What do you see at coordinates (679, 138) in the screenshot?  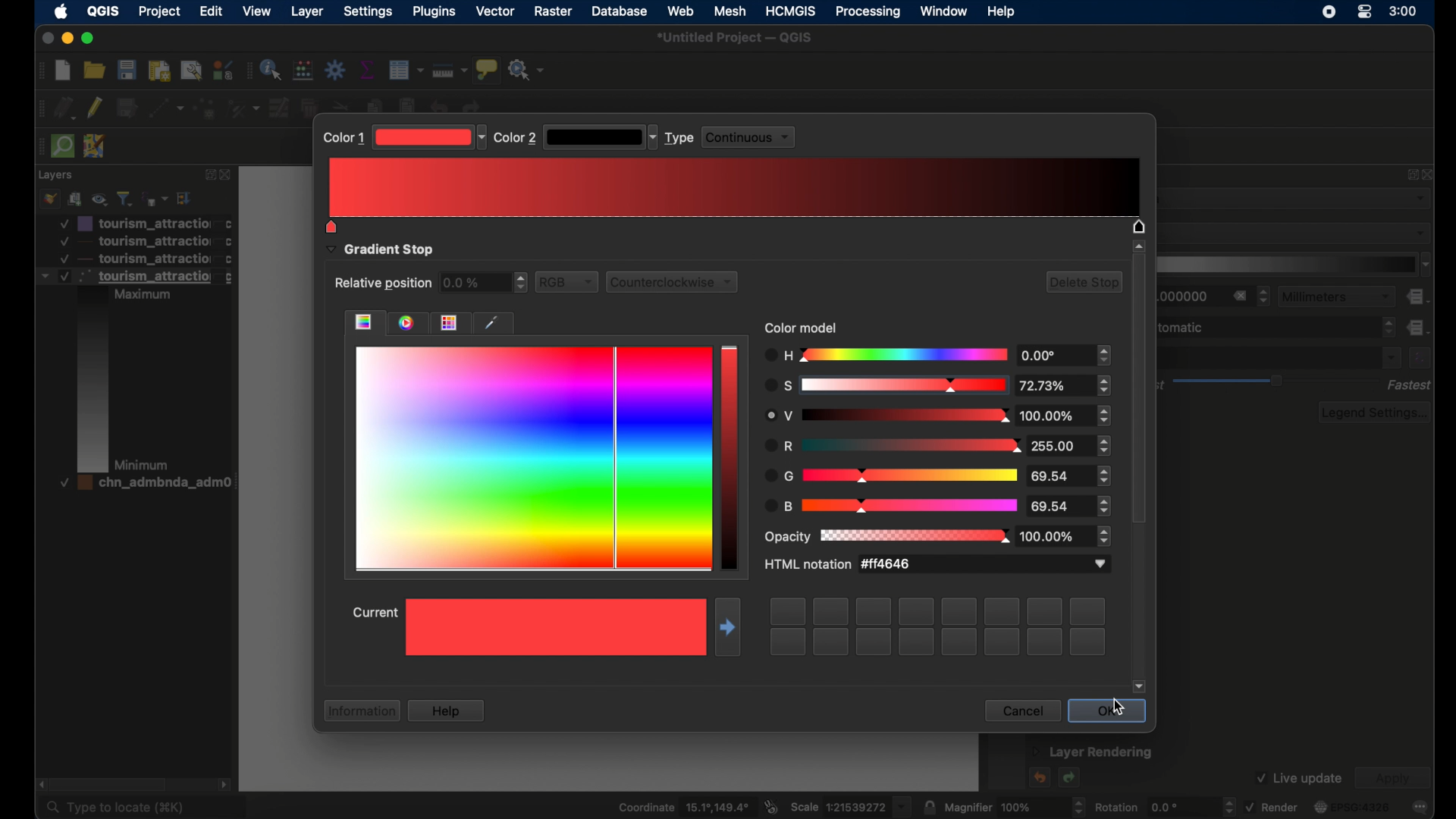 I see `type` at bounding box center [679, 138].